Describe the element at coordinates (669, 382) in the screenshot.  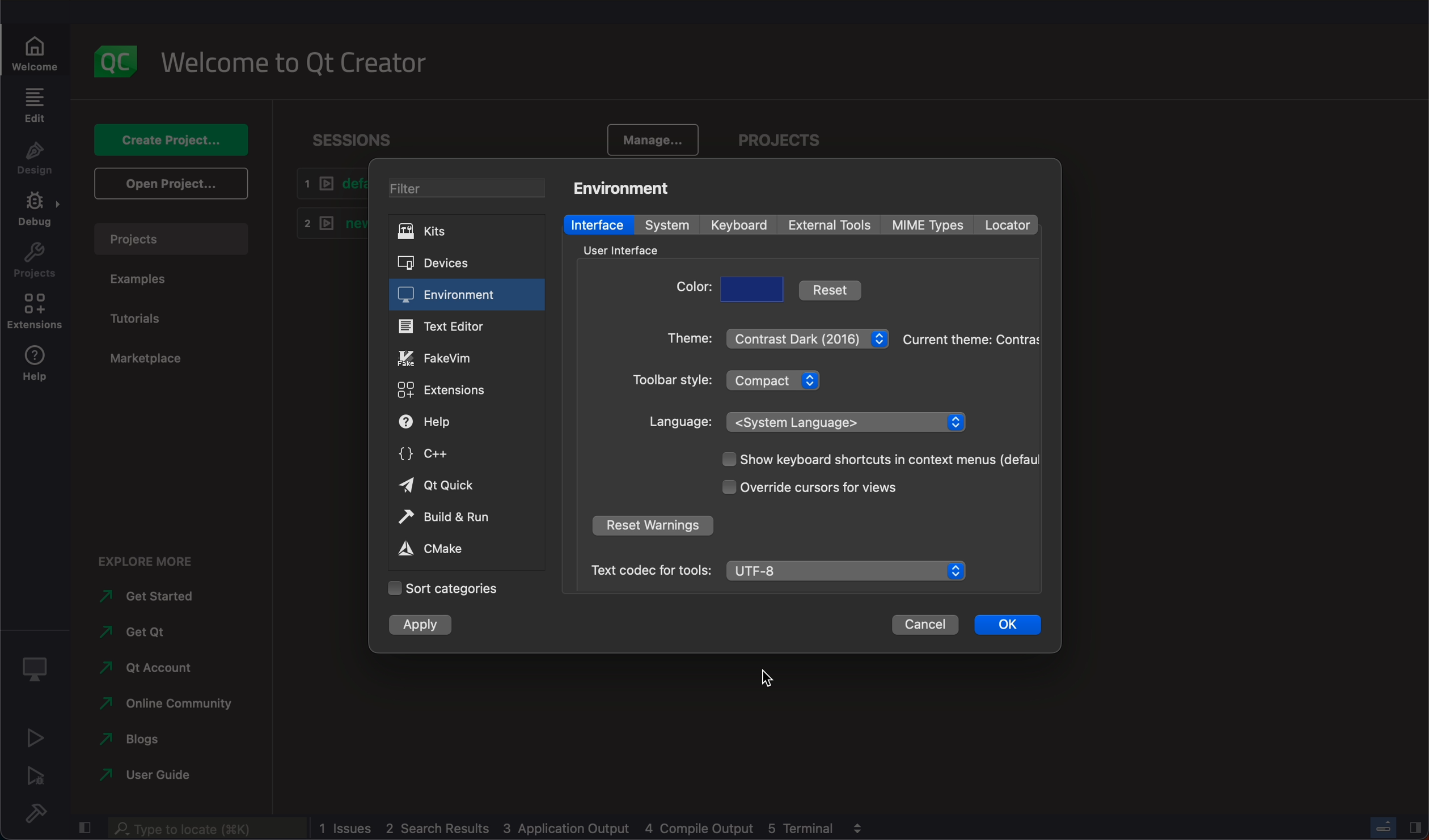
I see `toolbar style` at that location.